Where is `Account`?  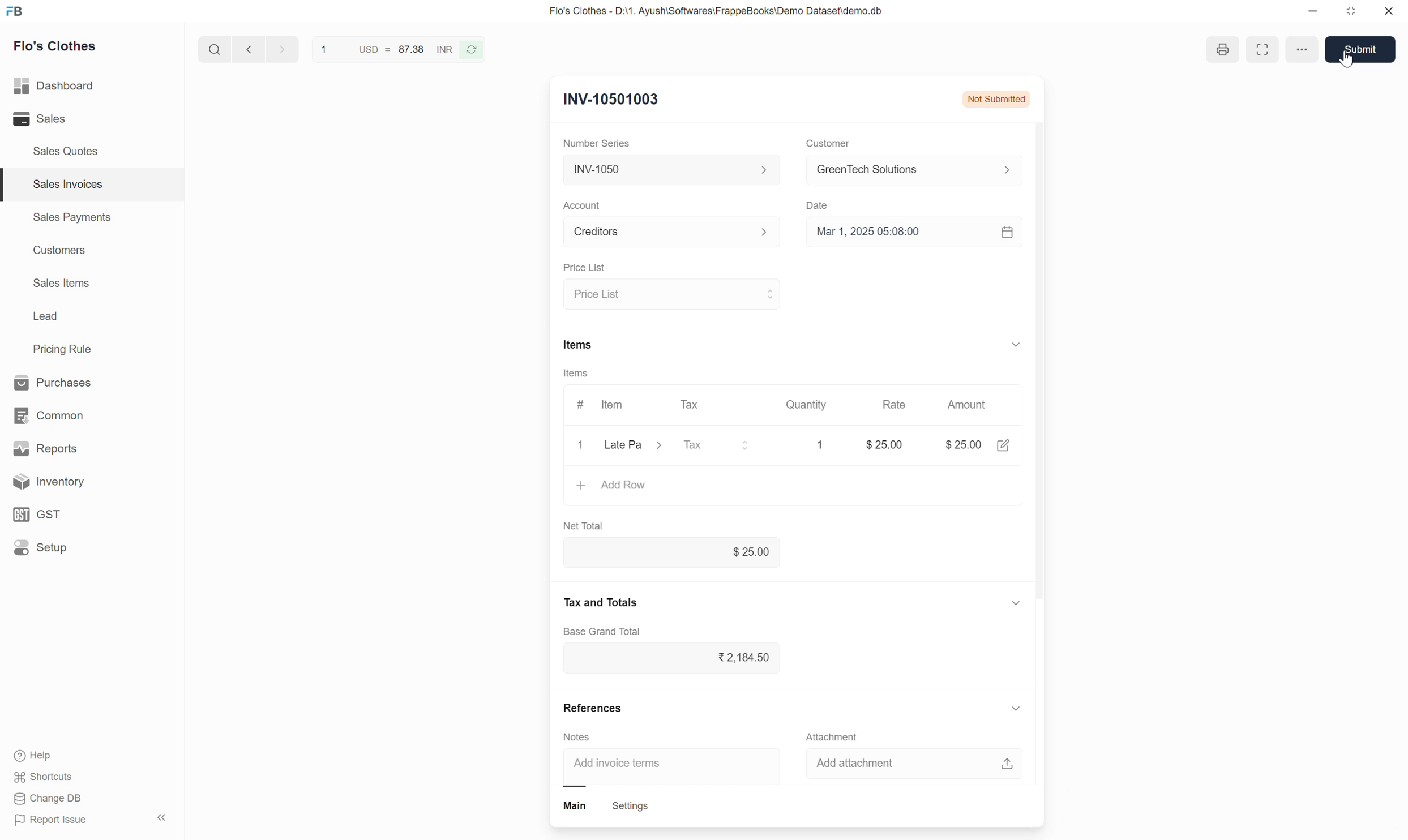
Account is located at coordinates (584, 205).